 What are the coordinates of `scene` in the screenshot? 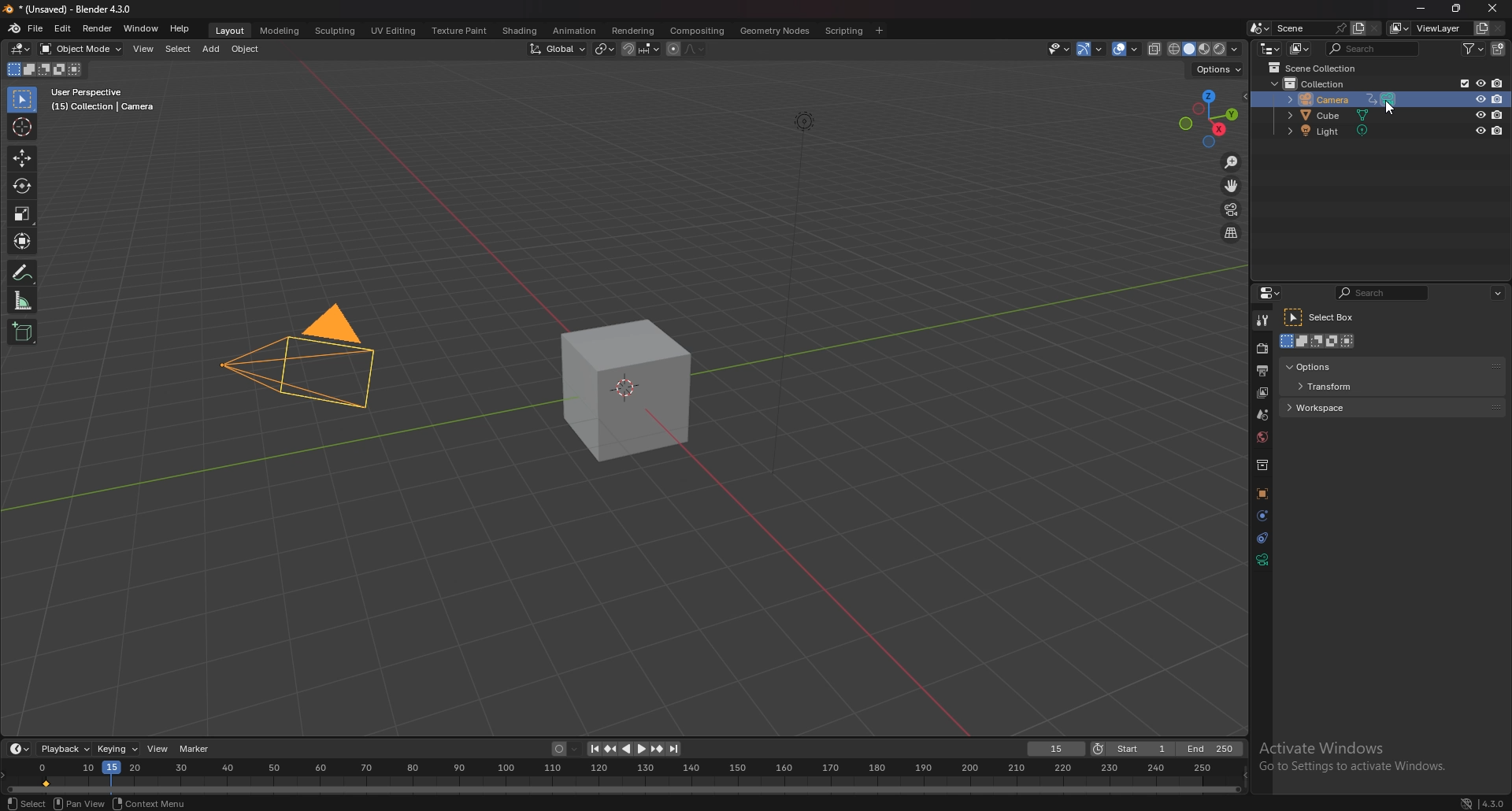 It's located at (1310, 28).